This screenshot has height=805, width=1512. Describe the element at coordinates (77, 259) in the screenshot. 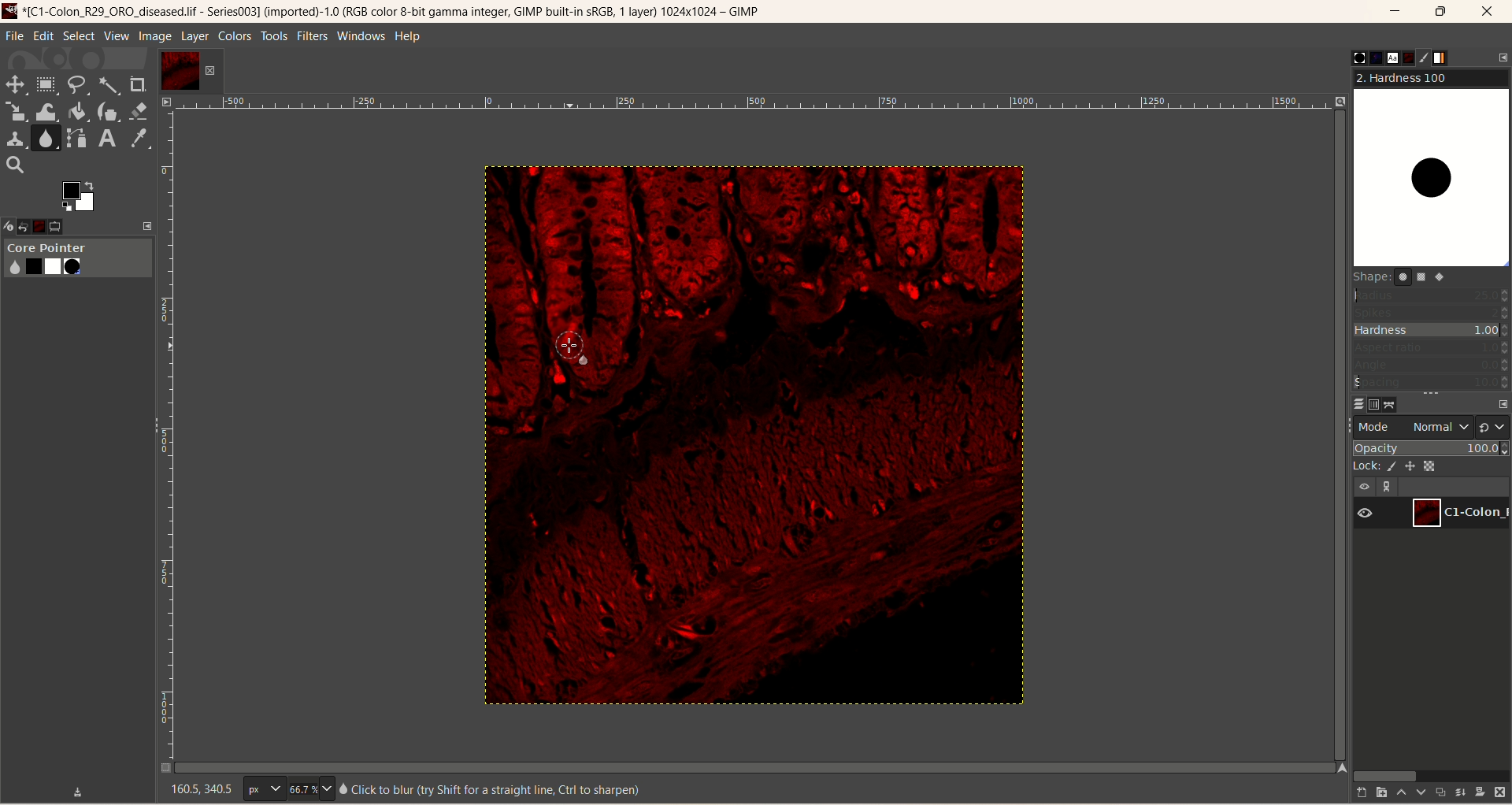

I see `core pointer` at that location.